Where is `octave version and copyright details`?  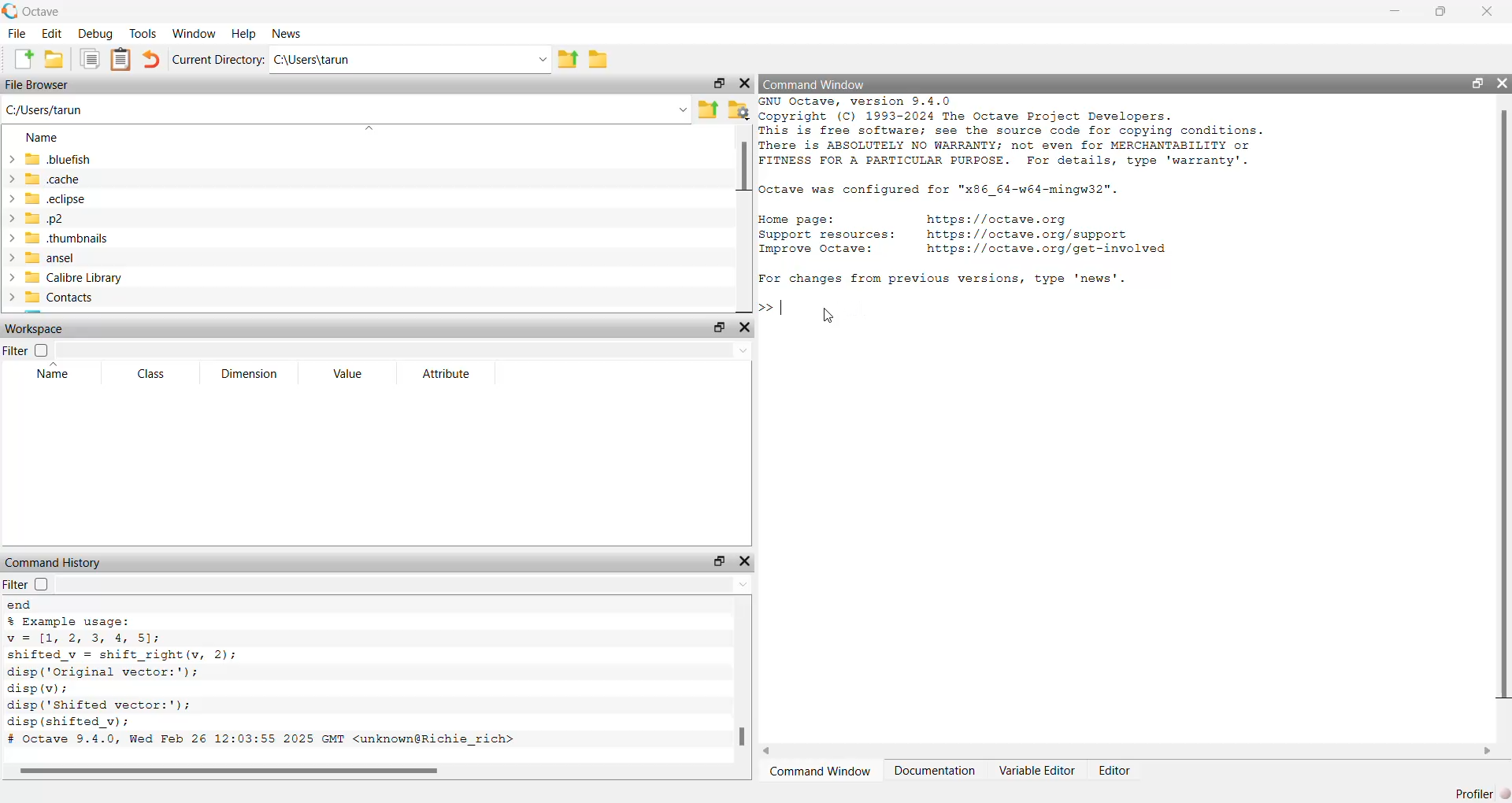 octave version and copyright details is located at coordinates (1032, 133).